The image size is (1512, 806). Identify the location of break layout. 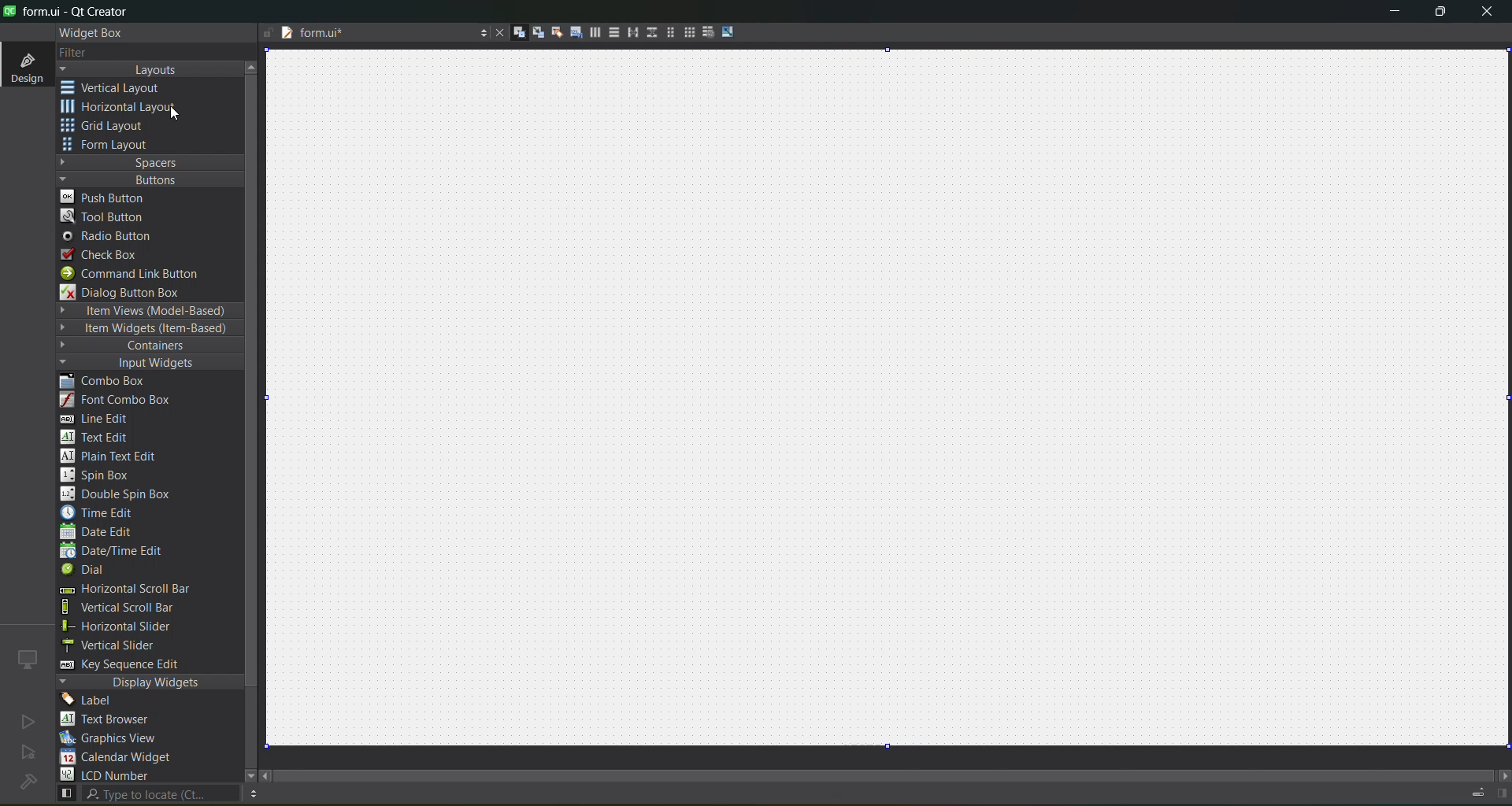
(704, 33).